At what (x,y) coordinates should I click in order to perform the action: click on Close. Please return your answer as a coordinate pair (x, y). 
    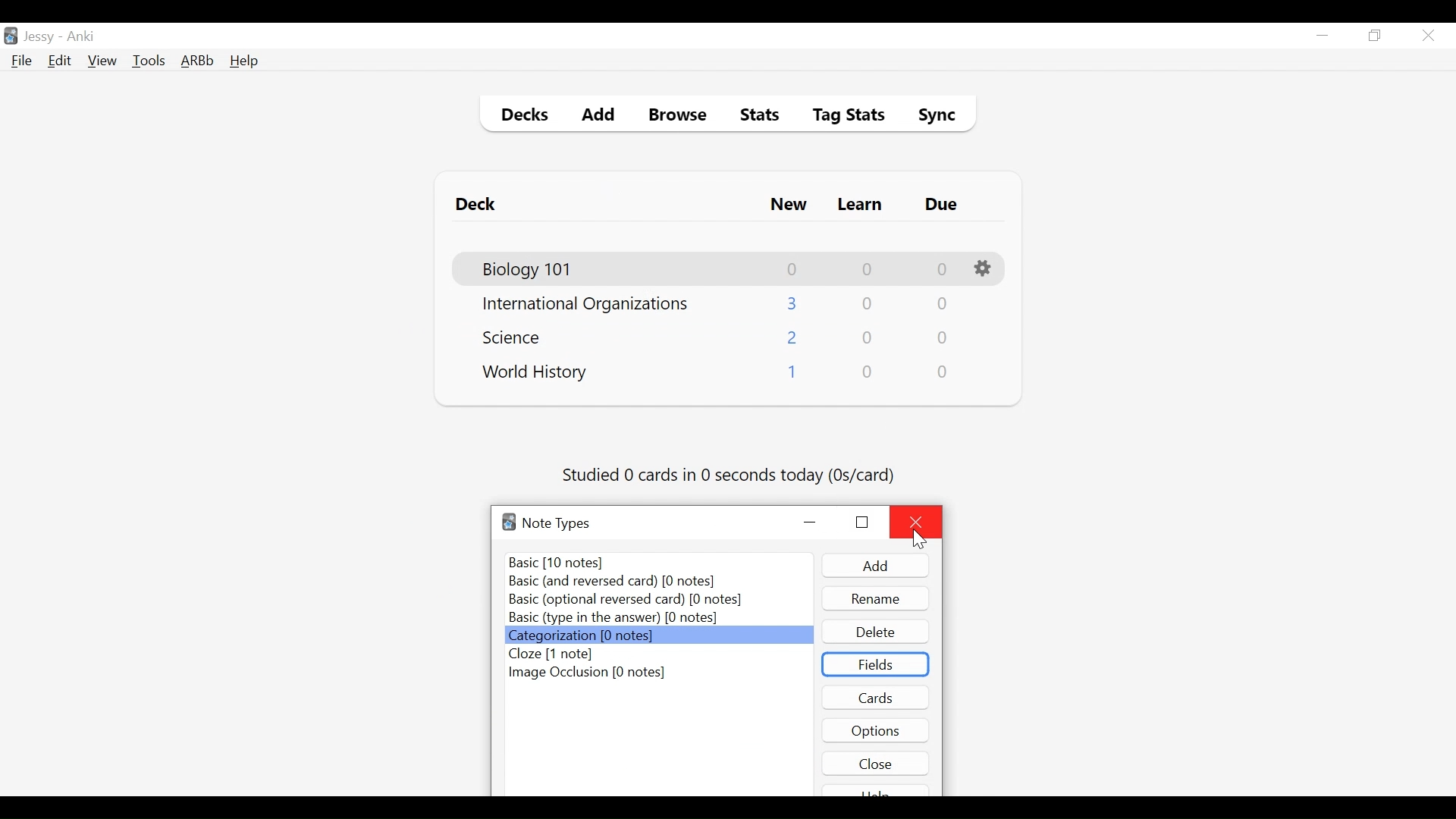
    Looking at the image, I should click on (916, 522).